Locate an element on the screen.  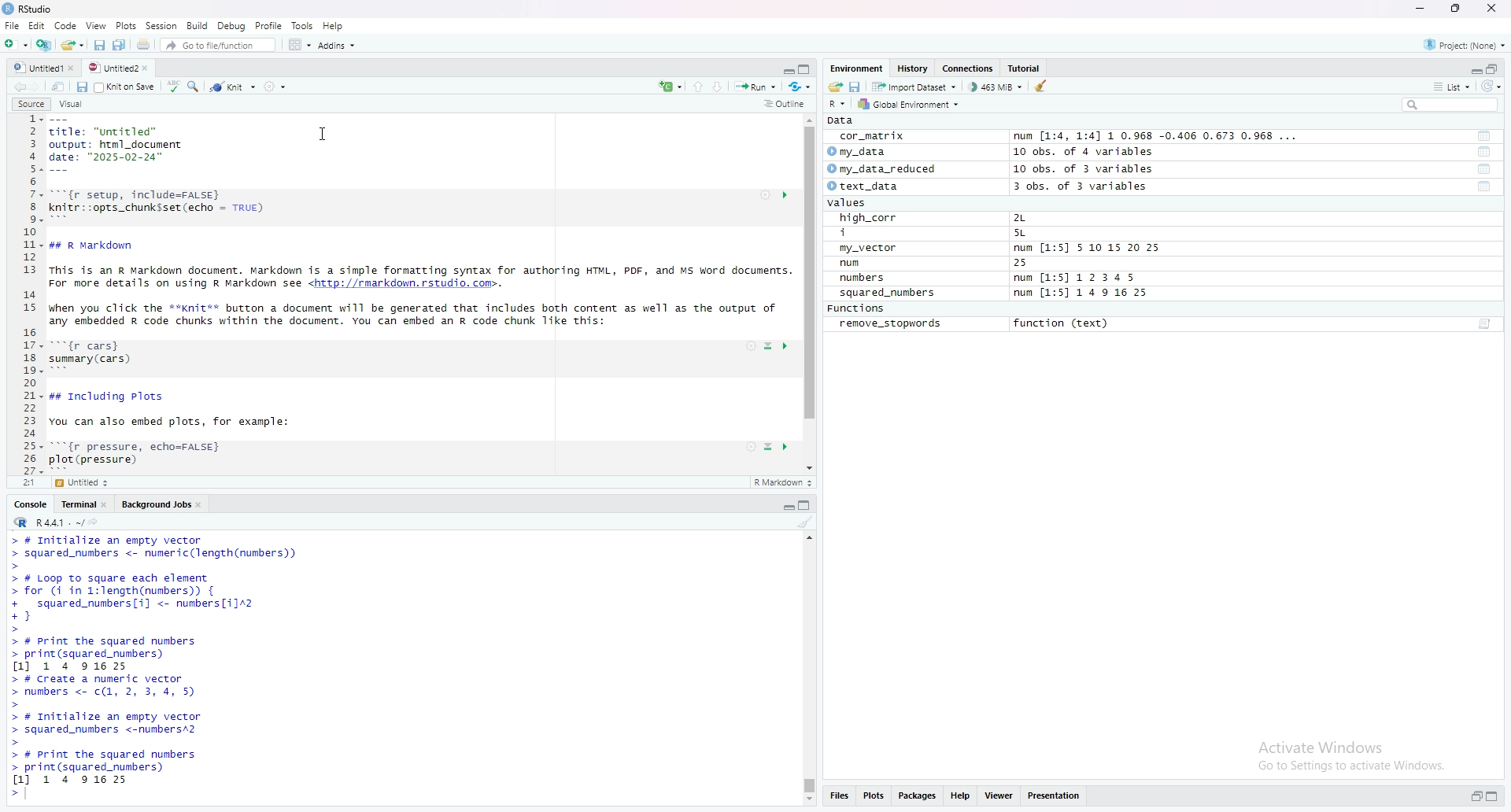
Scrollbar down is located at coordinates (811, 467).